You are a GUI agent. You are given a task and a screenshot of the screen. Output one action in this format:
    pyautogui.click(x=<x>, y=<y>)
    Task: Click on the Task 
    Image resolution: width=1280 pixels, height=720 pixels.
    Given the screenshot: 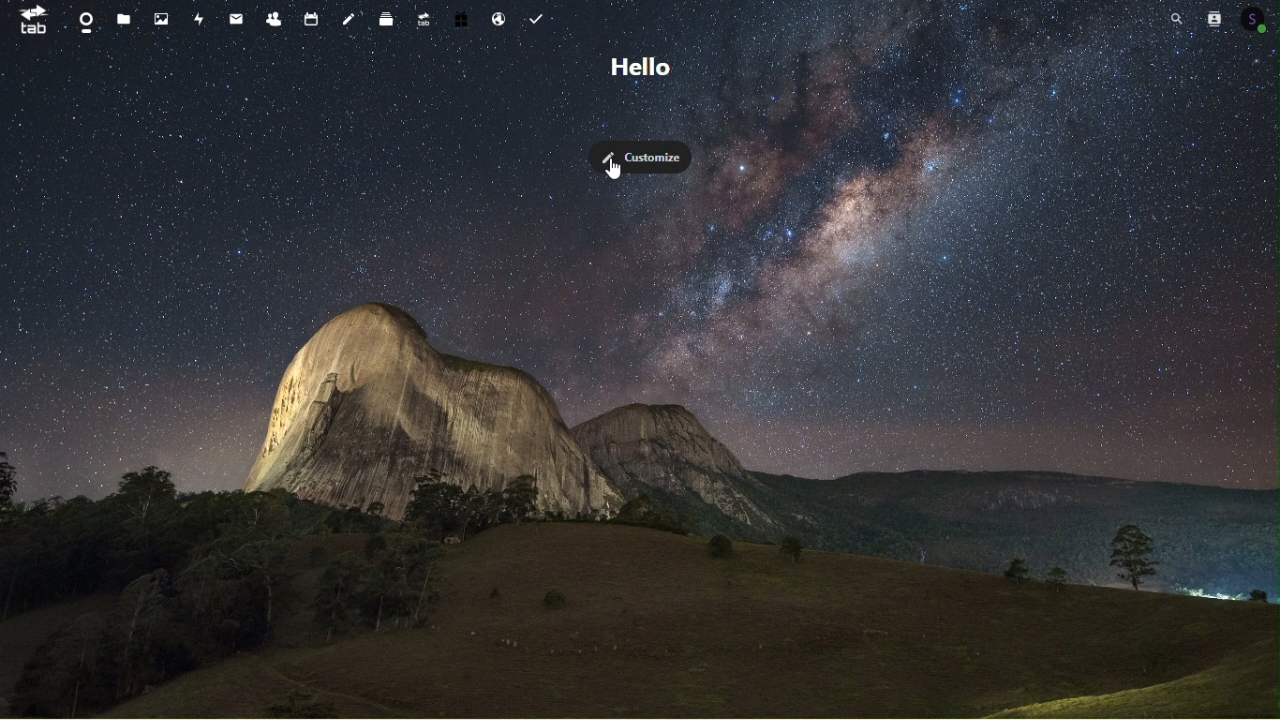 What is the action you would take?
    pyautogui.click(x=534, y=15)
    